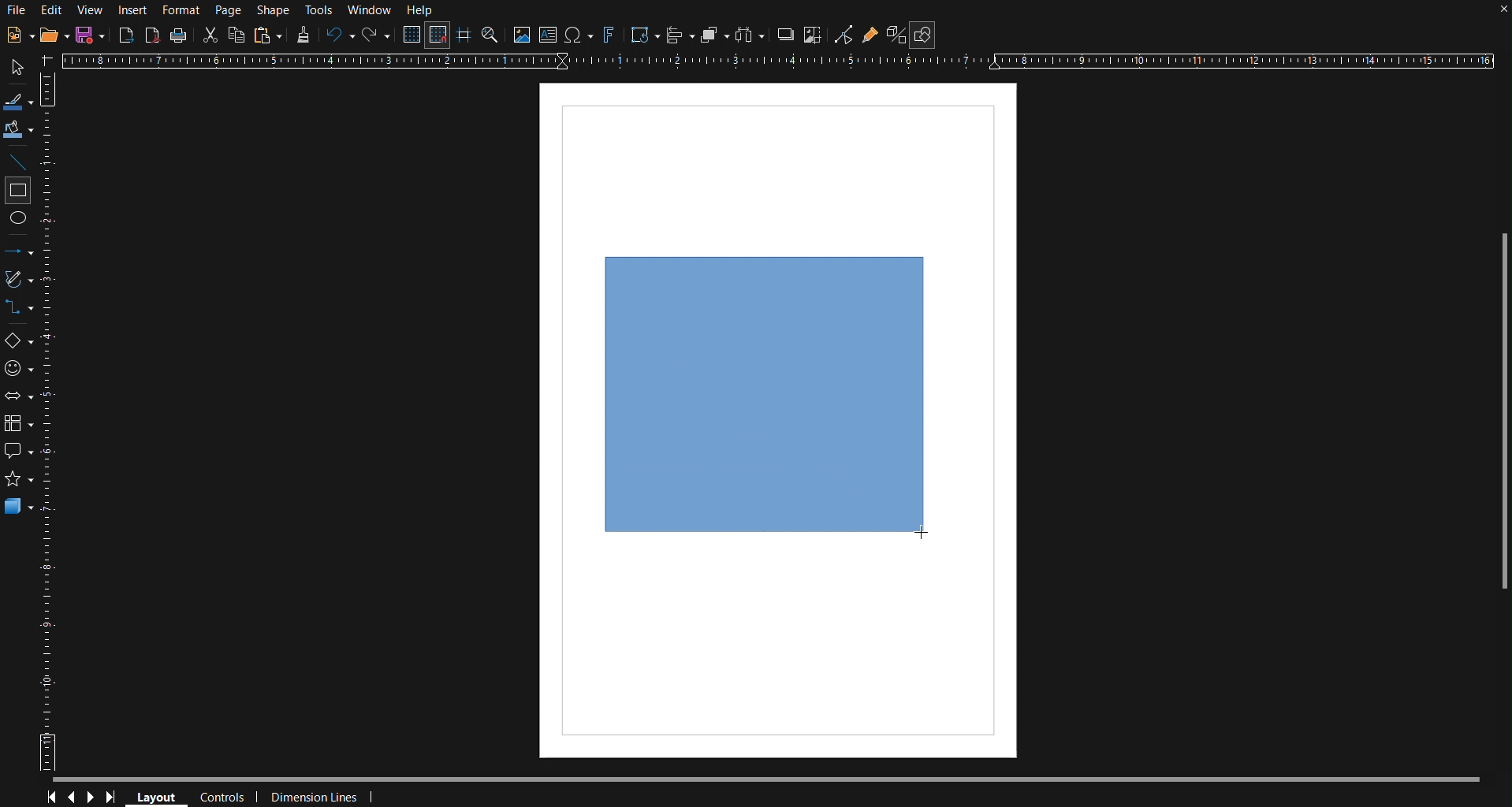  Describe the element at coordinates (464, 34) in the screenshot. I see `Guidelines while moving` at that location.